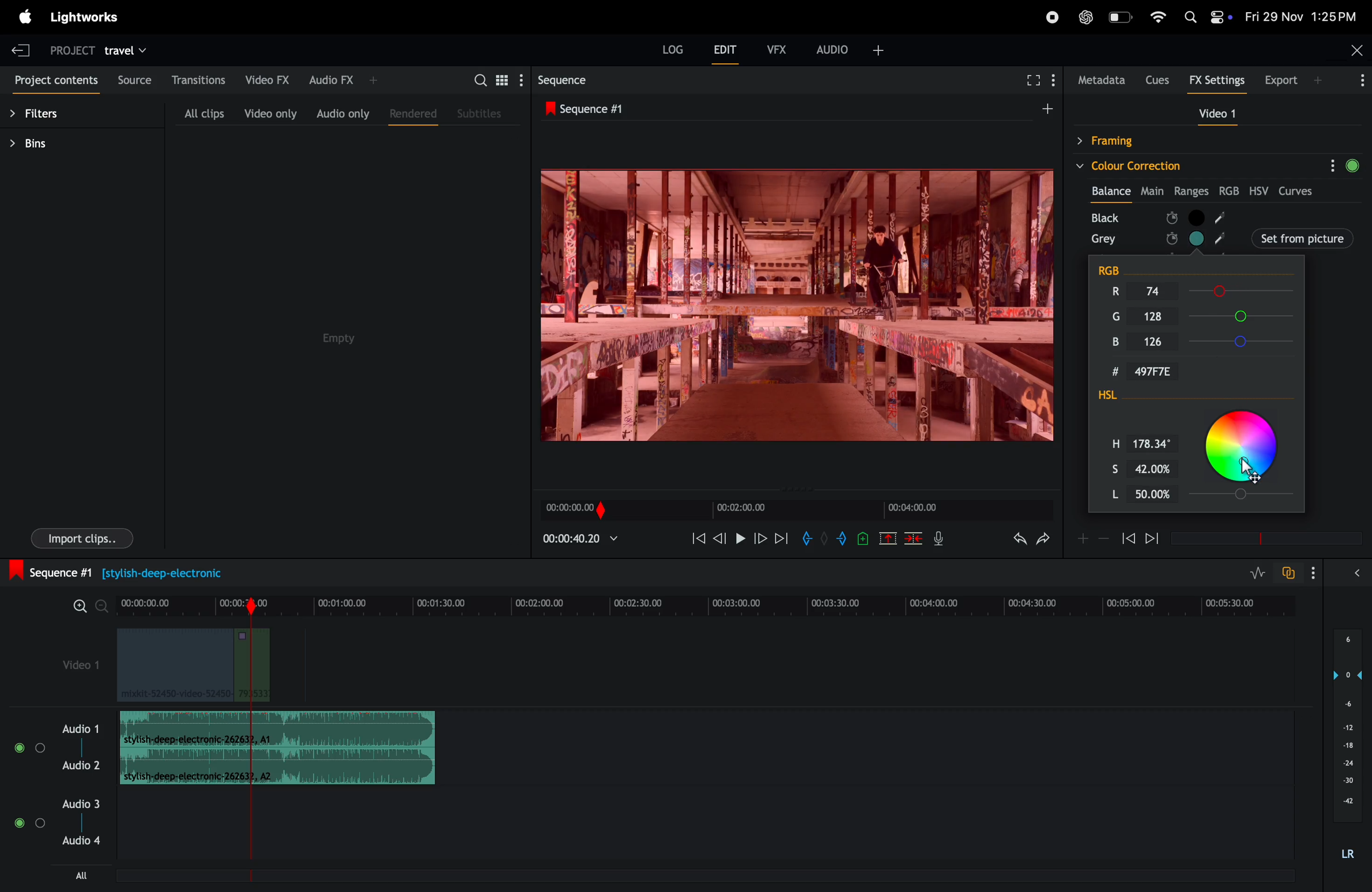  I want to click on Audio 4, so click(83, 842).